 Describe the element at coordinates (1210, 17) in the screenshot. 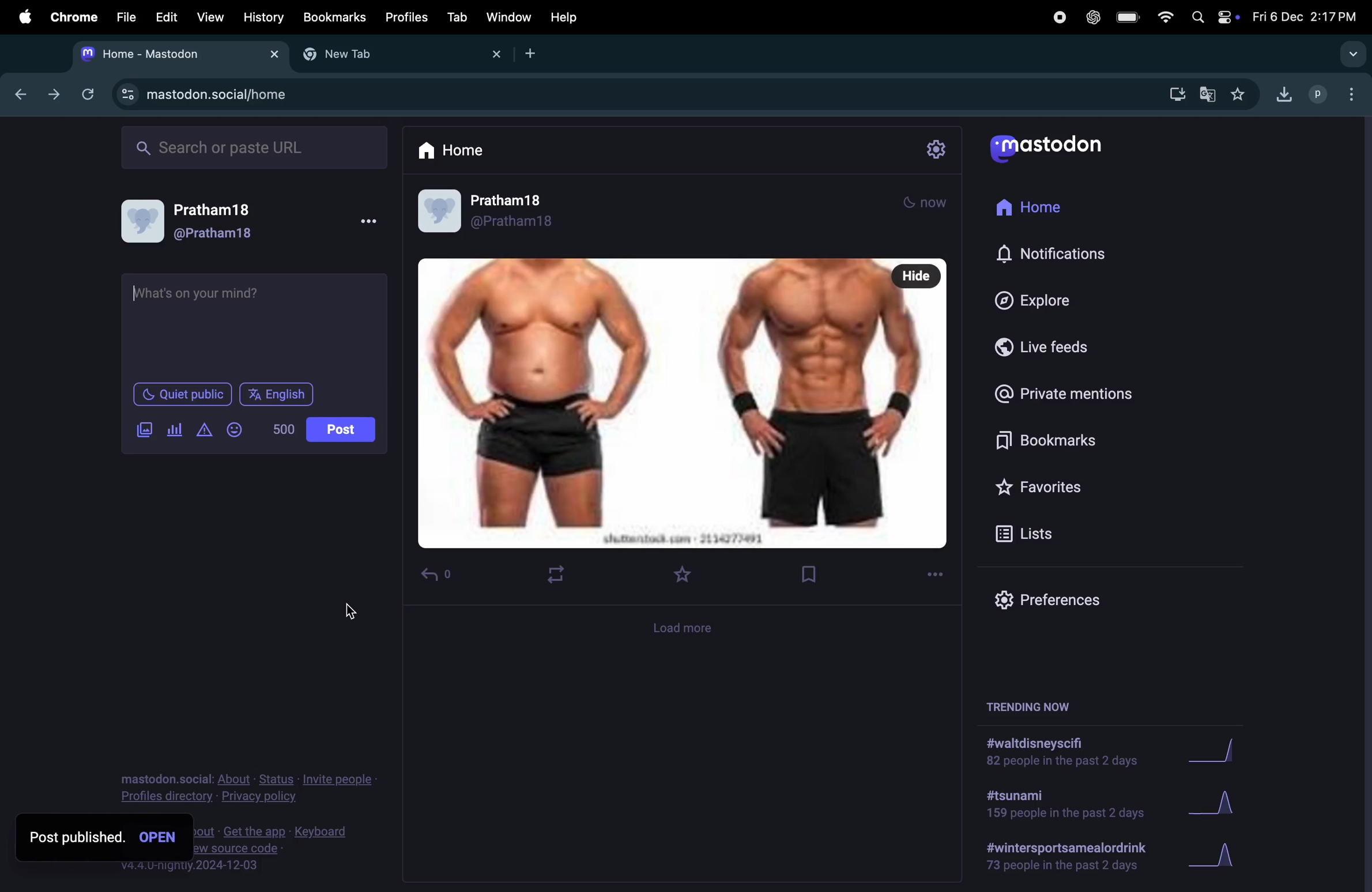

I see `apple widgets` at that location.